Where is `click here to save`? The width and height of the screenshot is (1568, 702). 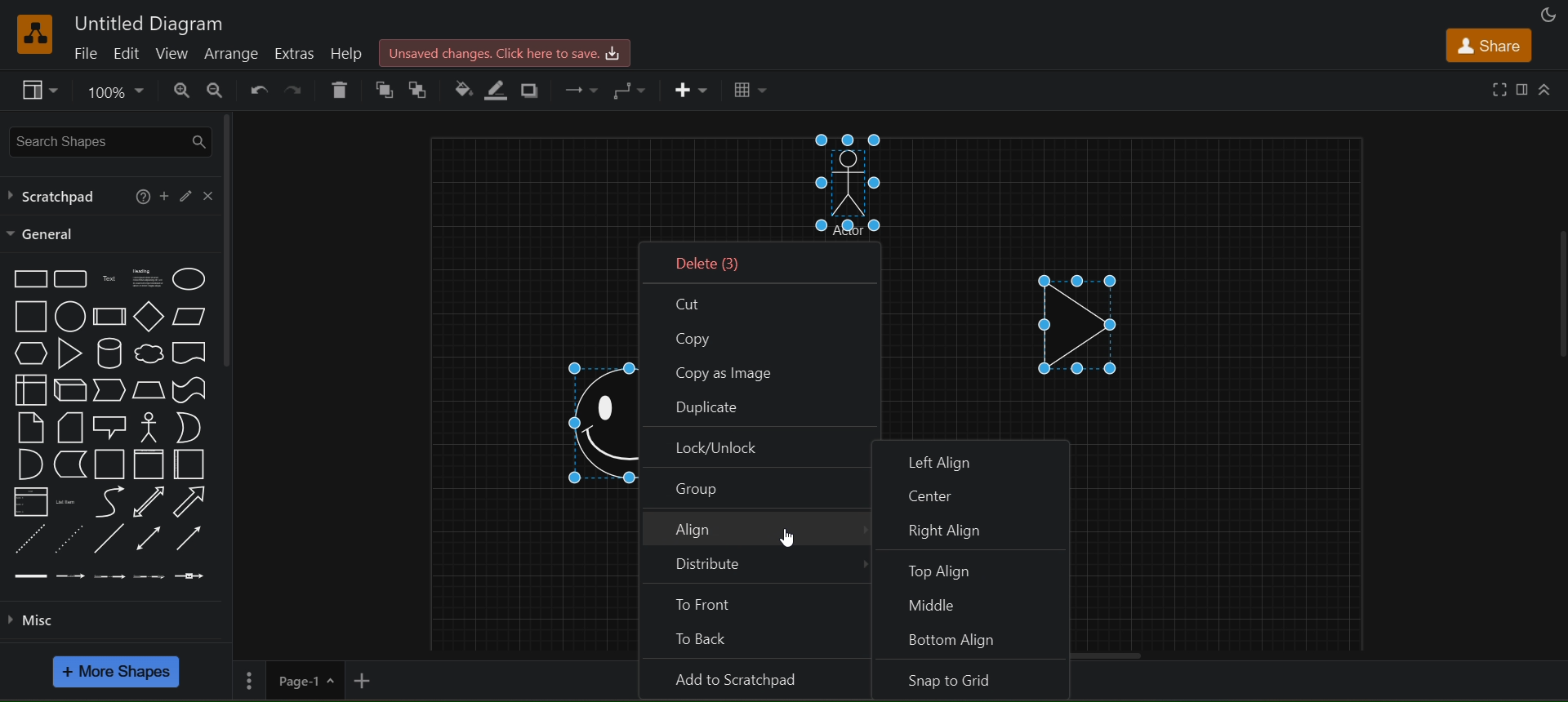
click here to save is located at coordinates (502, 53).